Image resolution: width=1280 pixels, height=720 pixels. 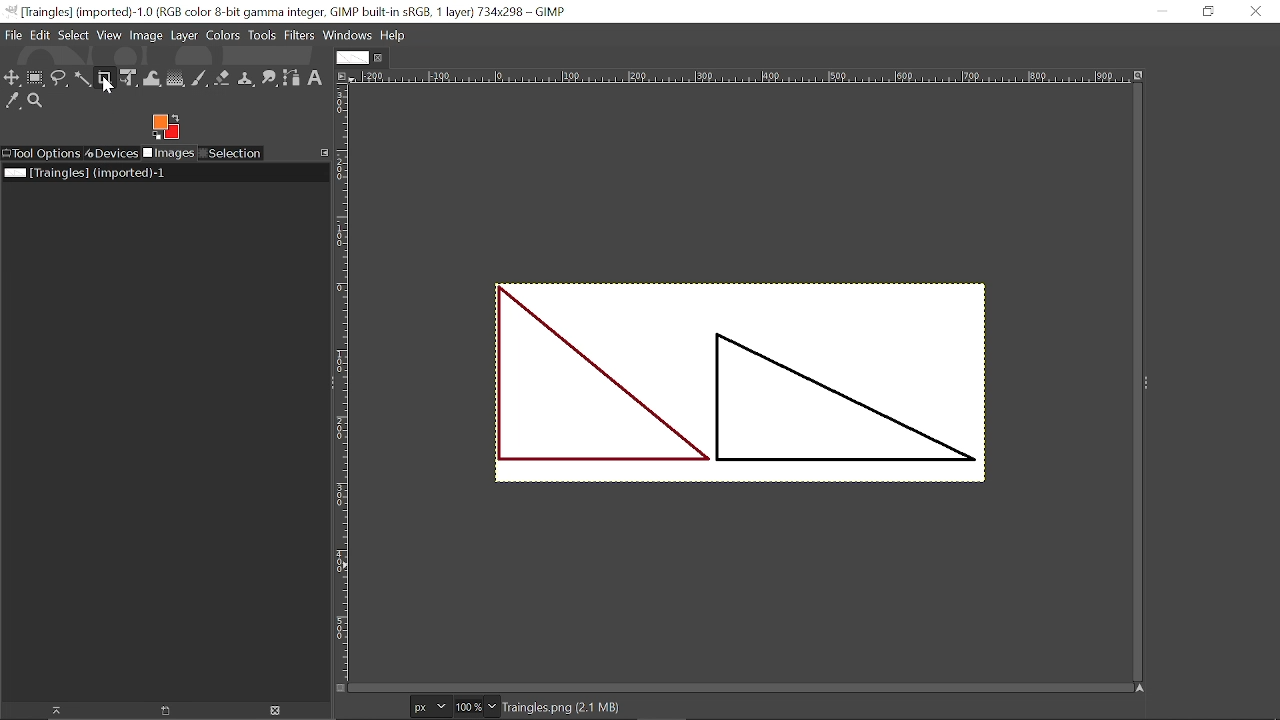 I want to click on move tool, so click(x=13, y=78).